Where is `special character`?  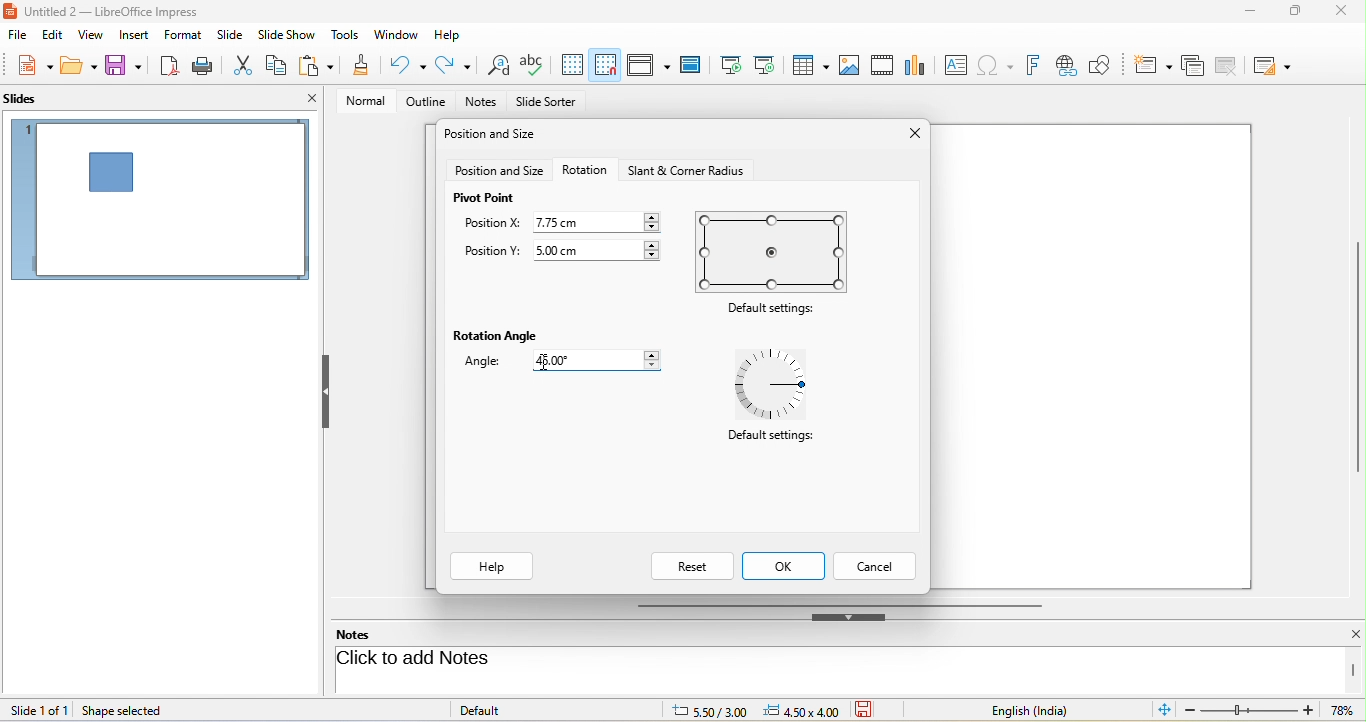
special character is located at coordinates (999, 65).